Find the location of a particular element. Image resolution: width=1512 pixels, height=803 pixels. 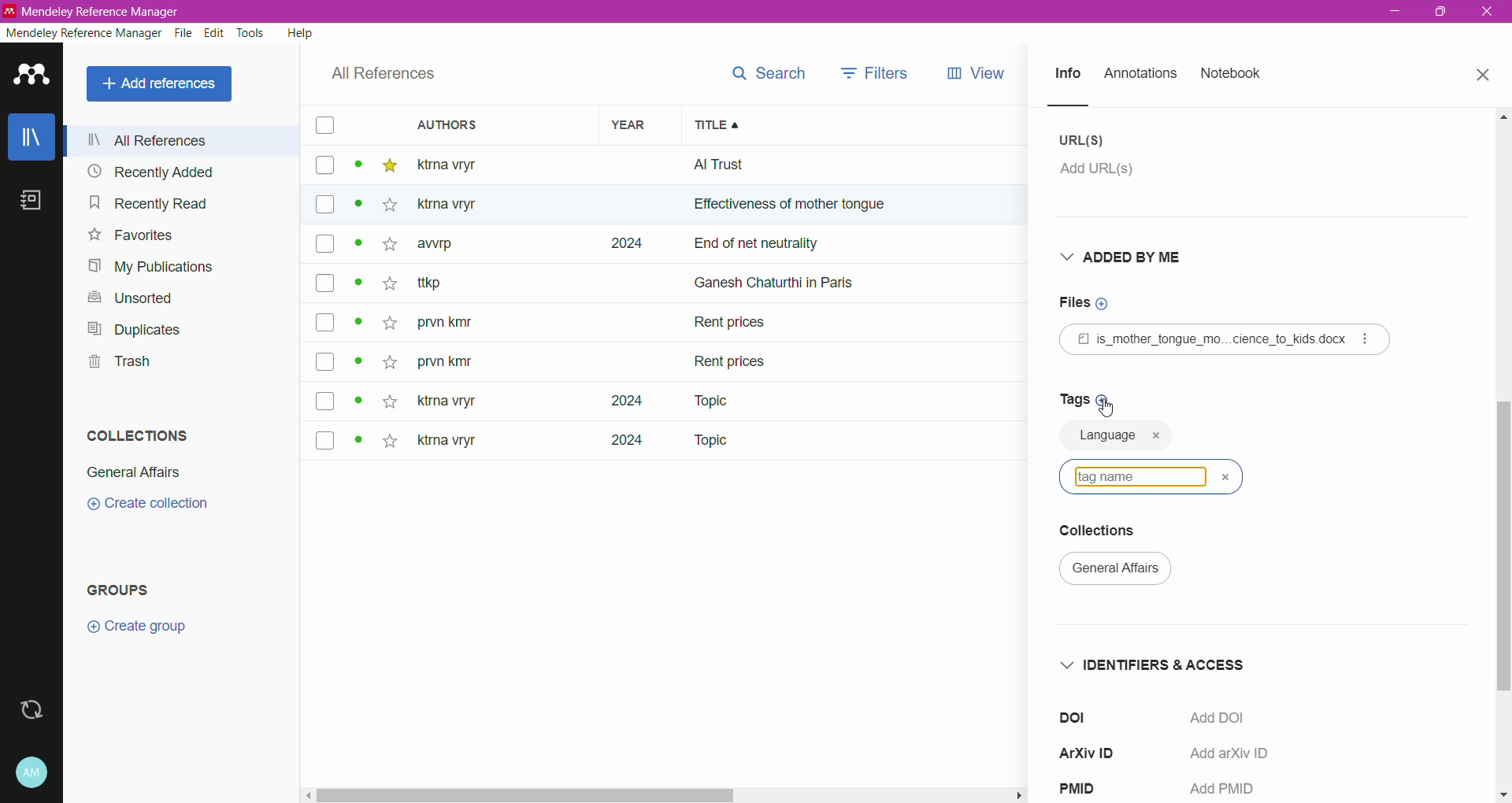

box is located at coordinates (326, 363).